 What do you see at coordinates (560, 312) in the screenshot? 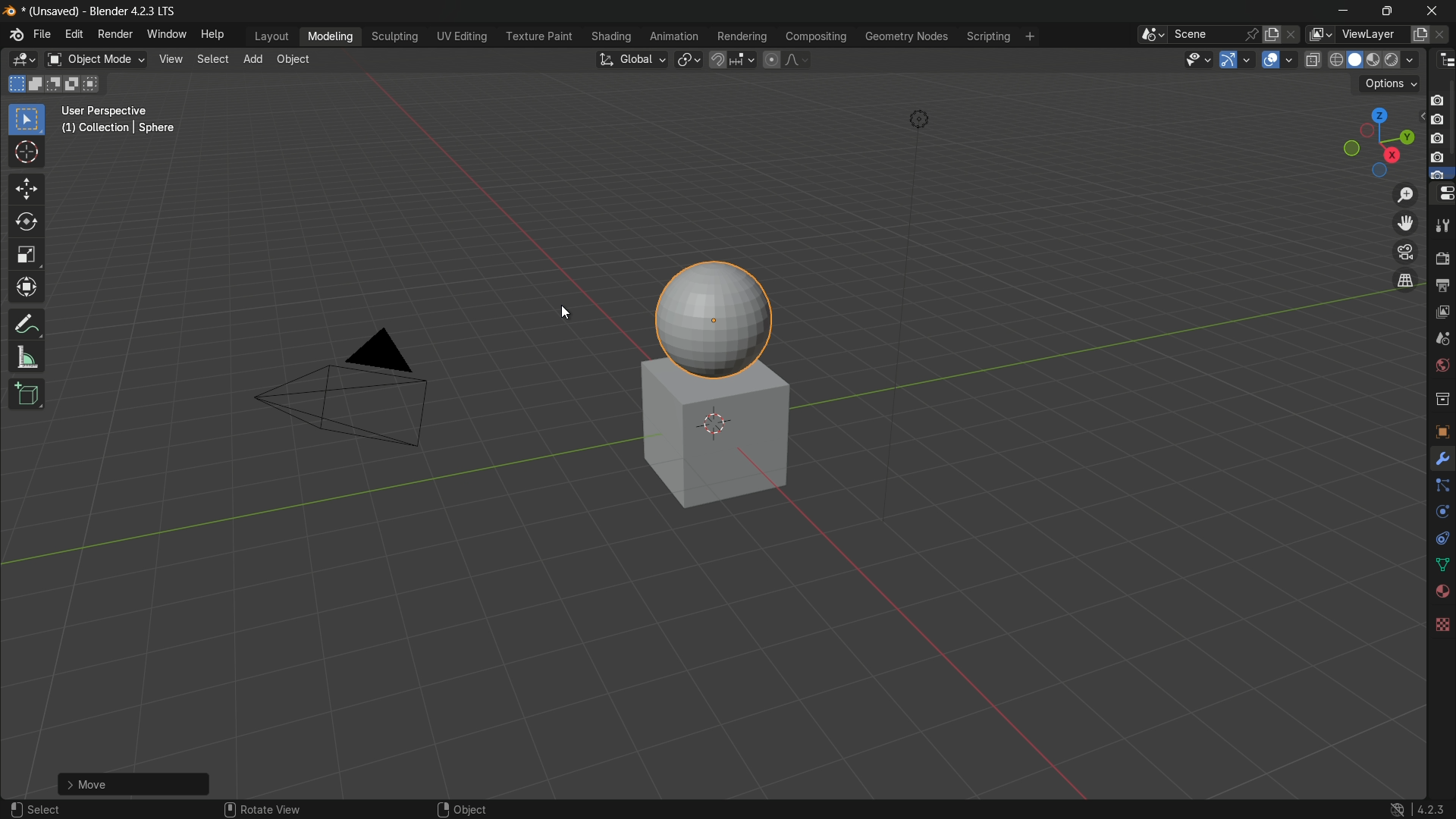
I see `cursor` at bounding box center [560, 312].